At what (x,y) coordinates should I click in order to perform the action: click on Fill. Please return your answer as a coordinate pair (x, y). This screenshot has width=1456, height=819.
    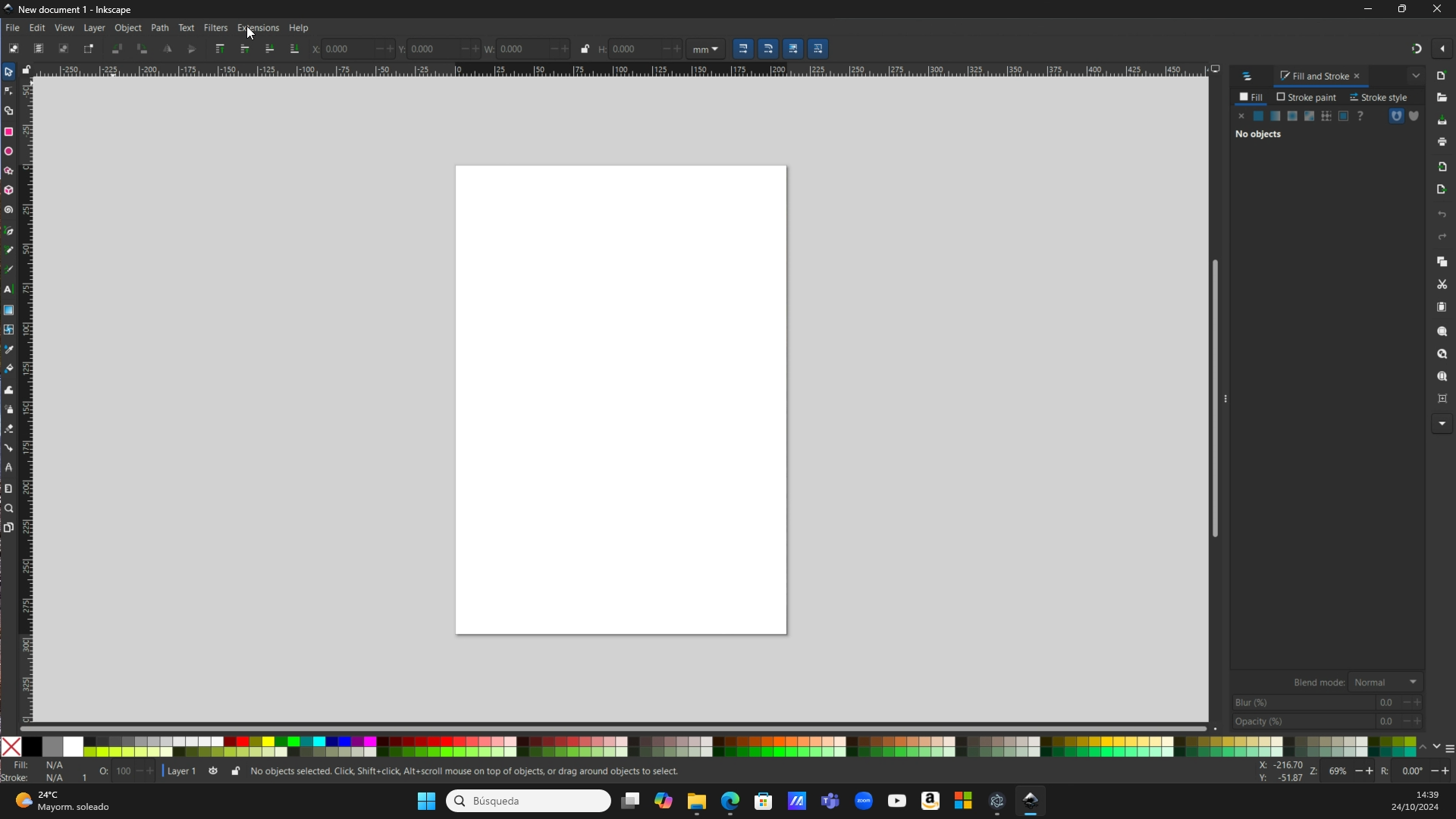
    Looking at the image, I should click on (1253, 99).